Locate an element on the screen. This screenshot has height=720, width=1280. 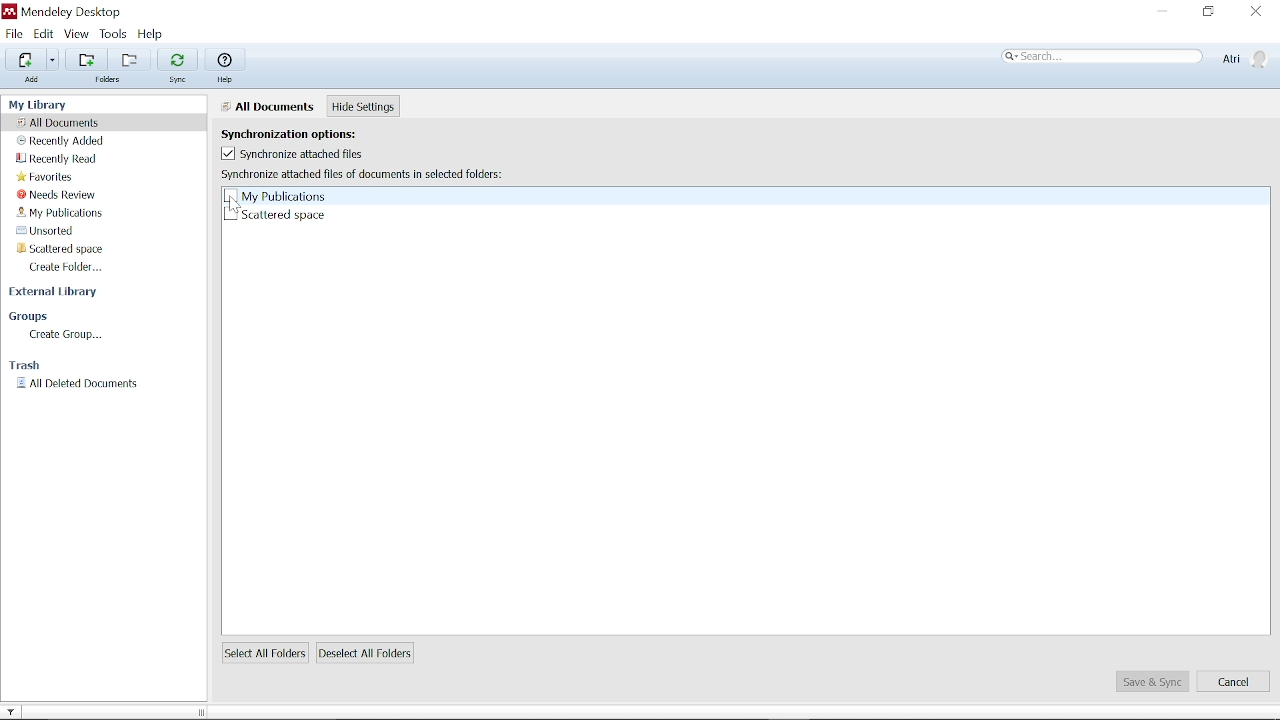
Help is located at coordinates (158, 35).